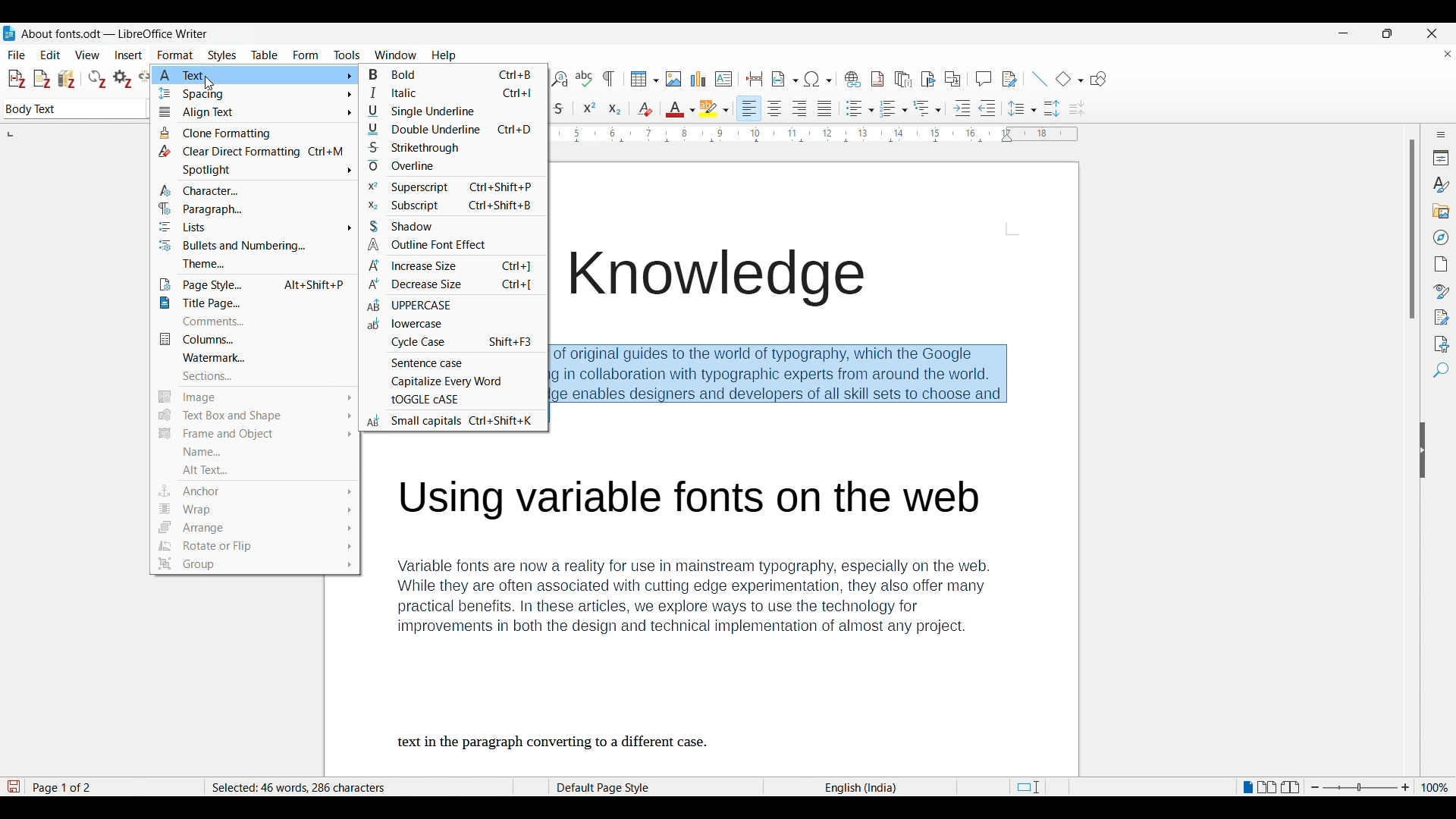 This screenshot has height=819, width=1456. What do you see at coordinates (1441, 370) in the screenshot?
I see `Find` at bounding box center [1441, 370].